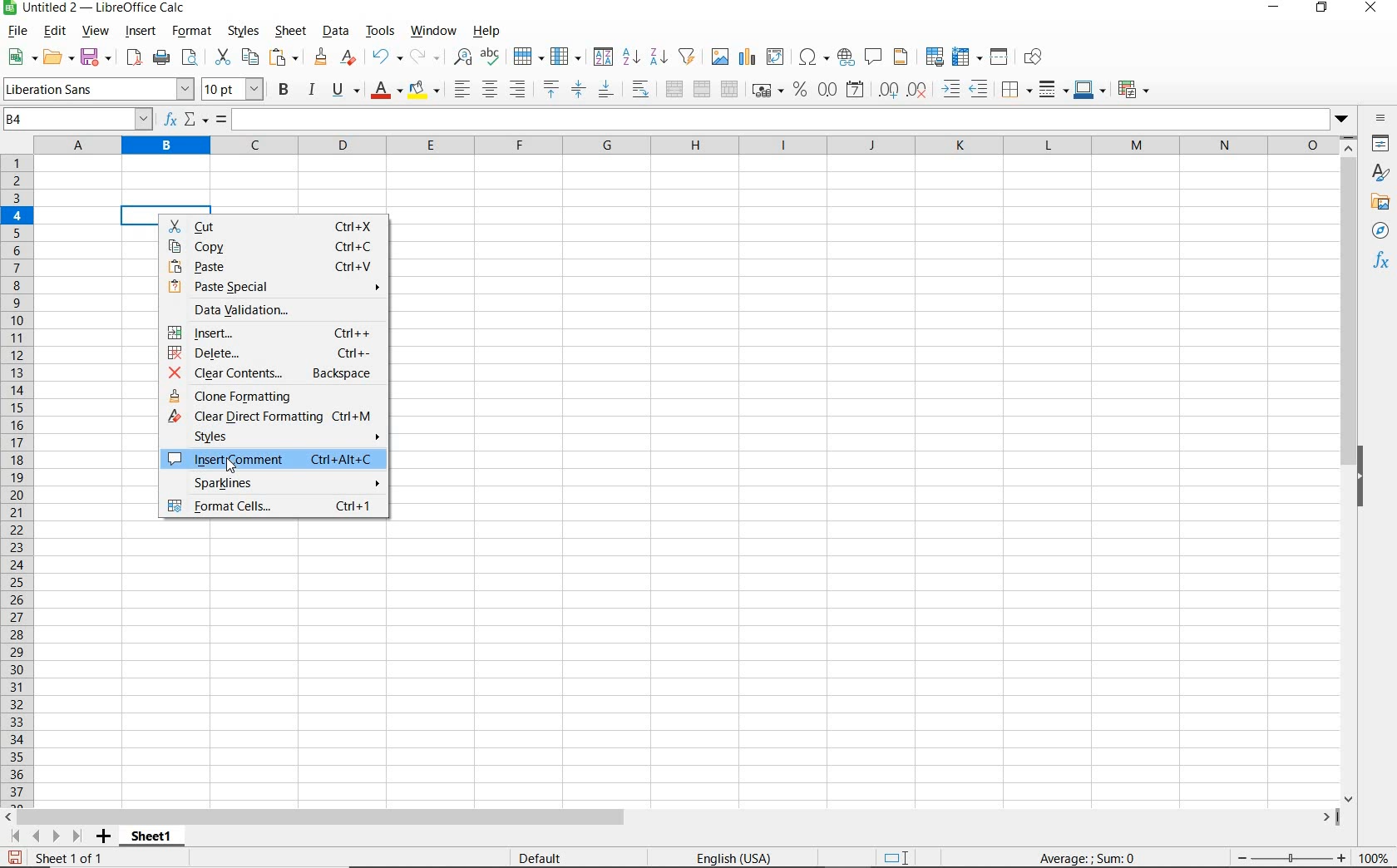  What do you see at coordinates (336, 33) in the screenshot?
I see `data` at bounding box center [336, 33].